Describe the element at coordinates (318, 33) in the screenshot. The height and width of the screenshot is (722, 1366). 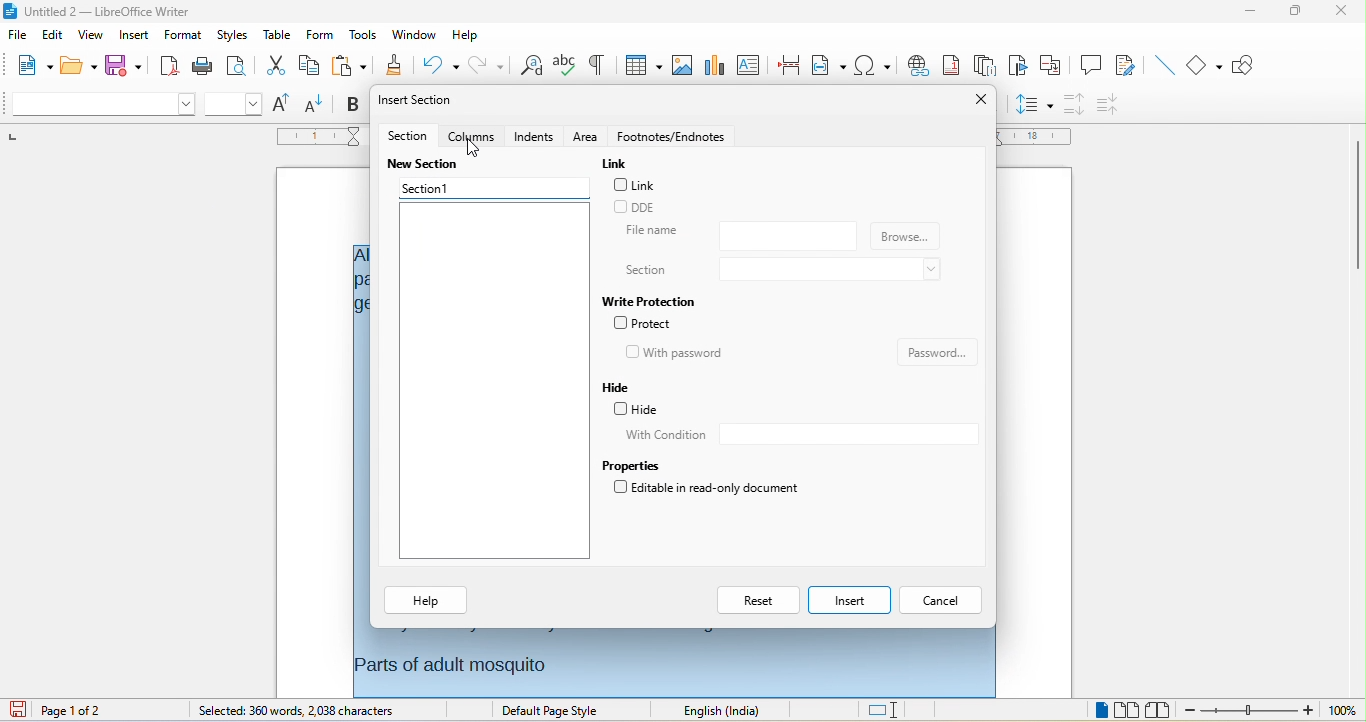
I see `form` at that location.